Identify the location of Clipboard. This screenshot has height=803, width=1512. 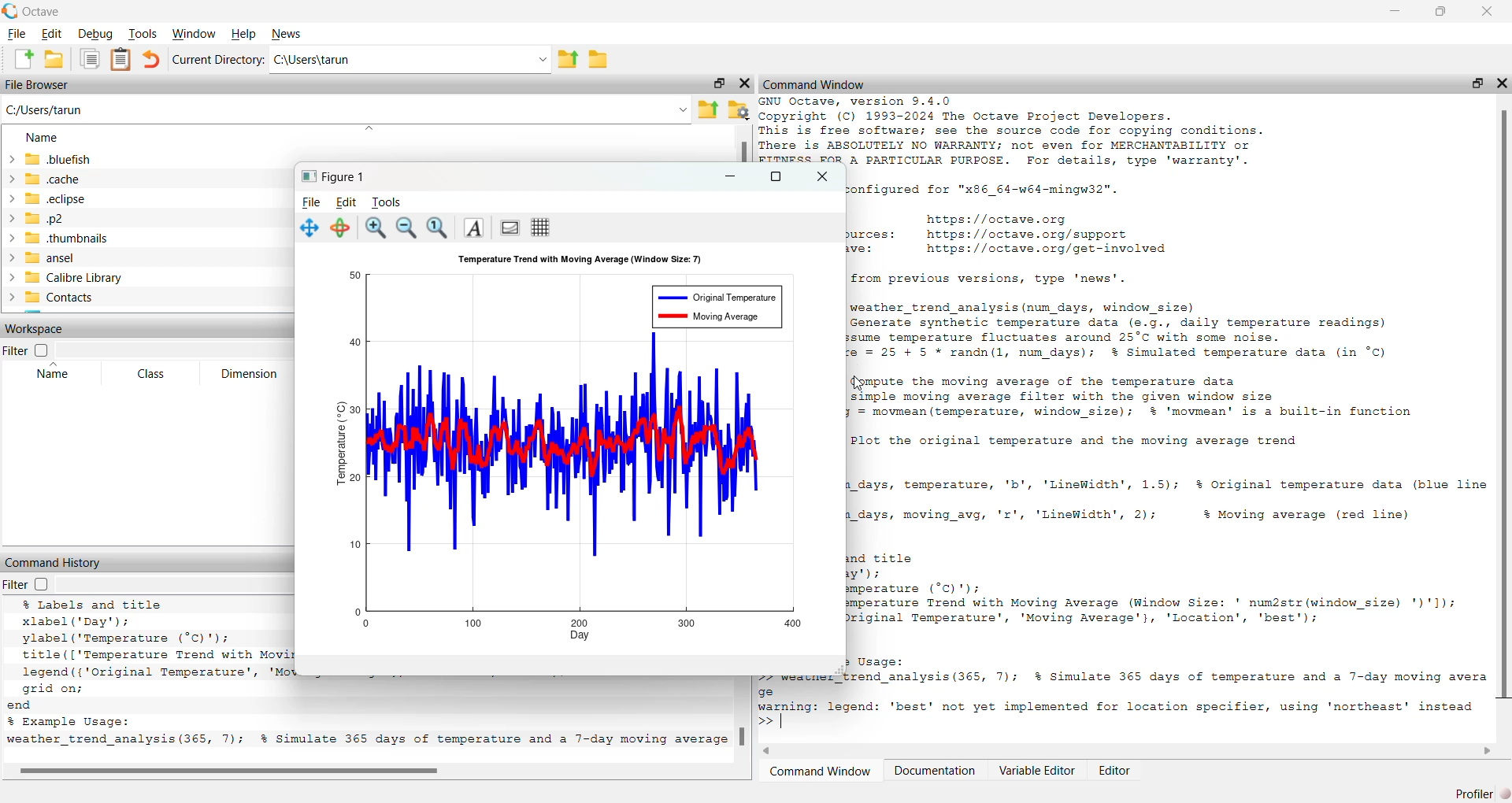
(119, 60).